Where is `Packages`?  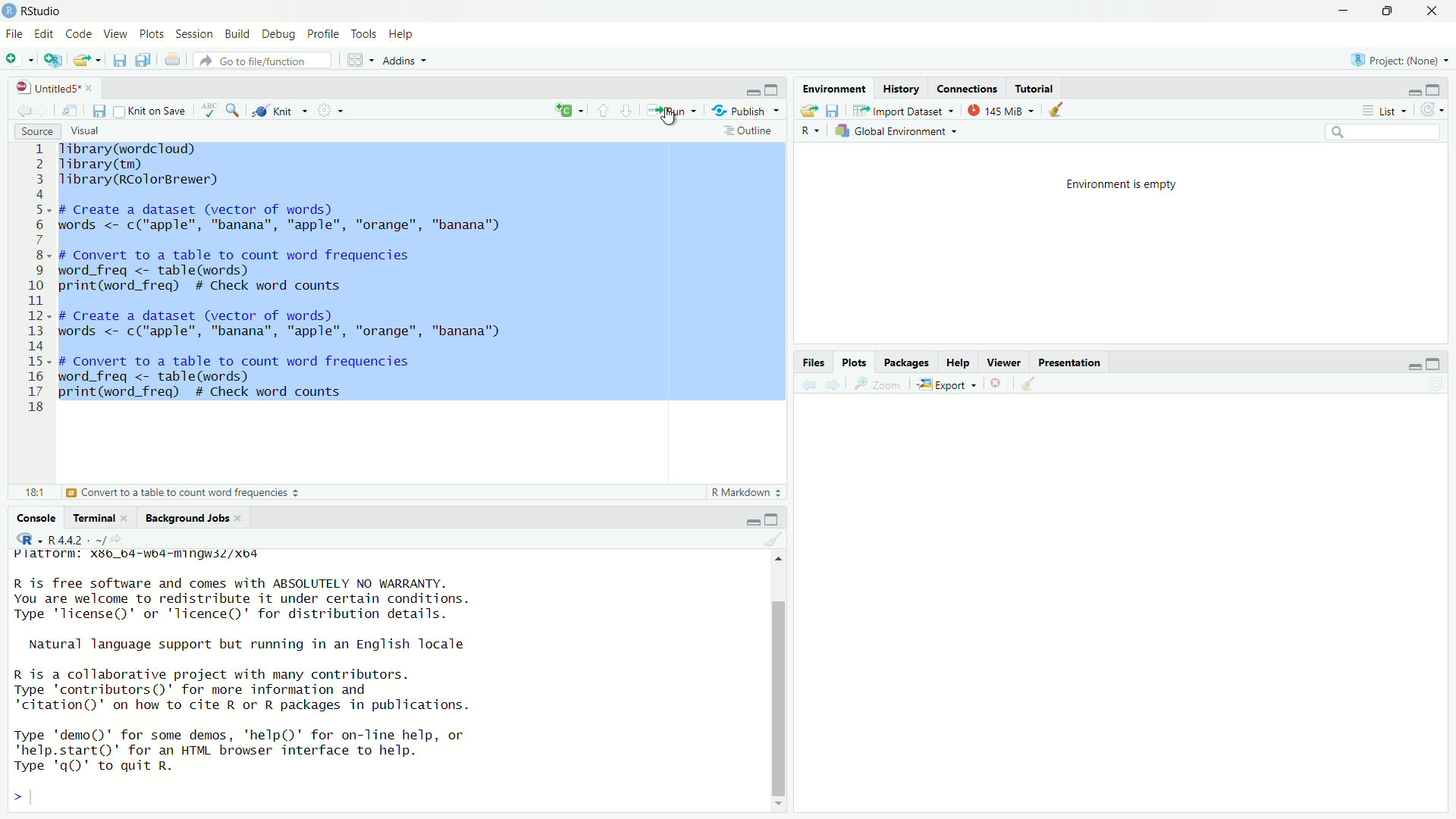 Packages is located at coordinates (906, 360).